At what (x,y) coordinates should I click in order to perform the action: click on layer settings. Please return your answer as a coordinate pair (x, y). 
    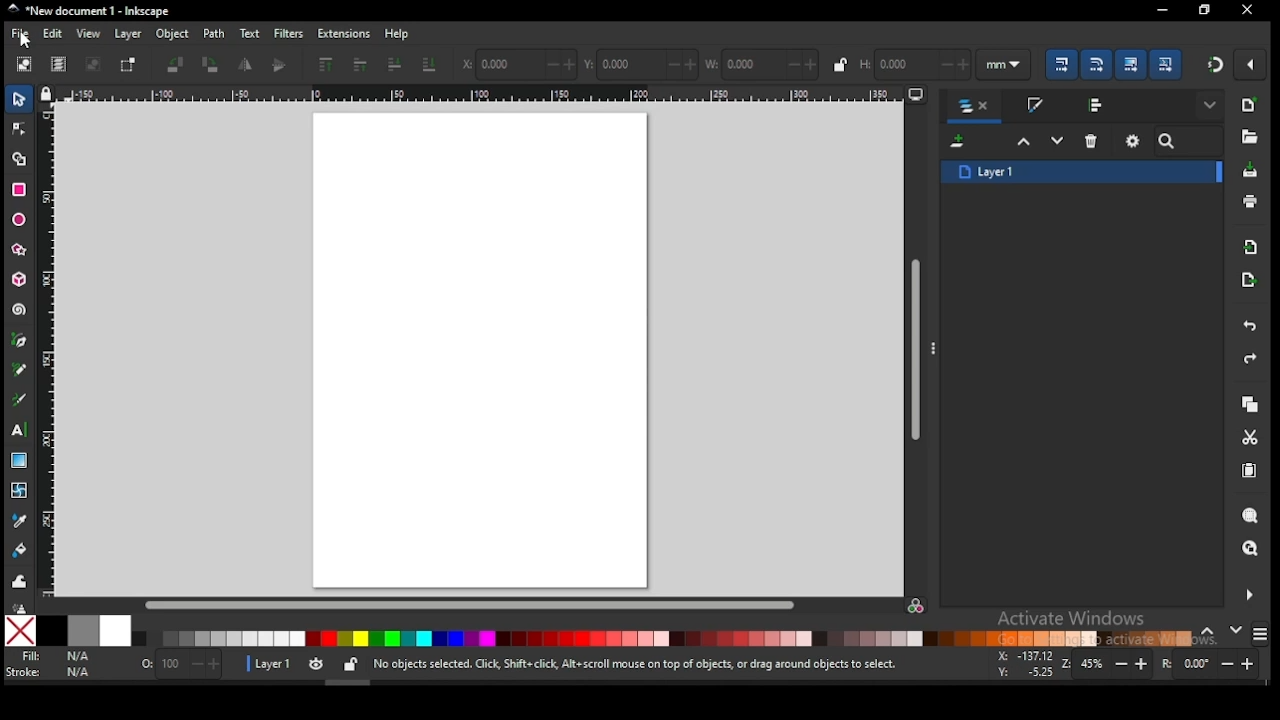
    Looking at the image, I should click on (304, 665).